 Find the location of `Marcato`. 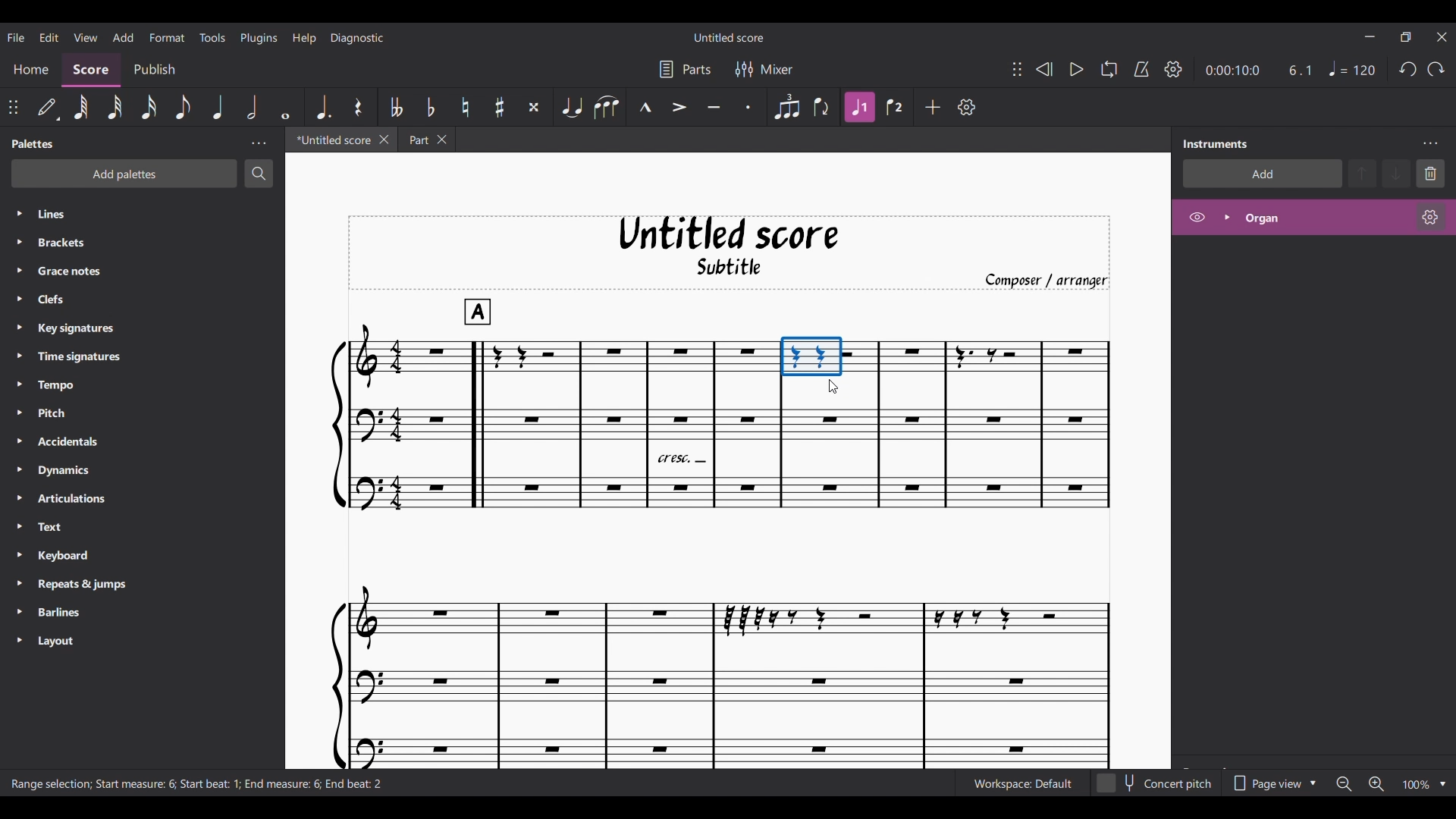

Marcato is located at coordinates (645, 108).